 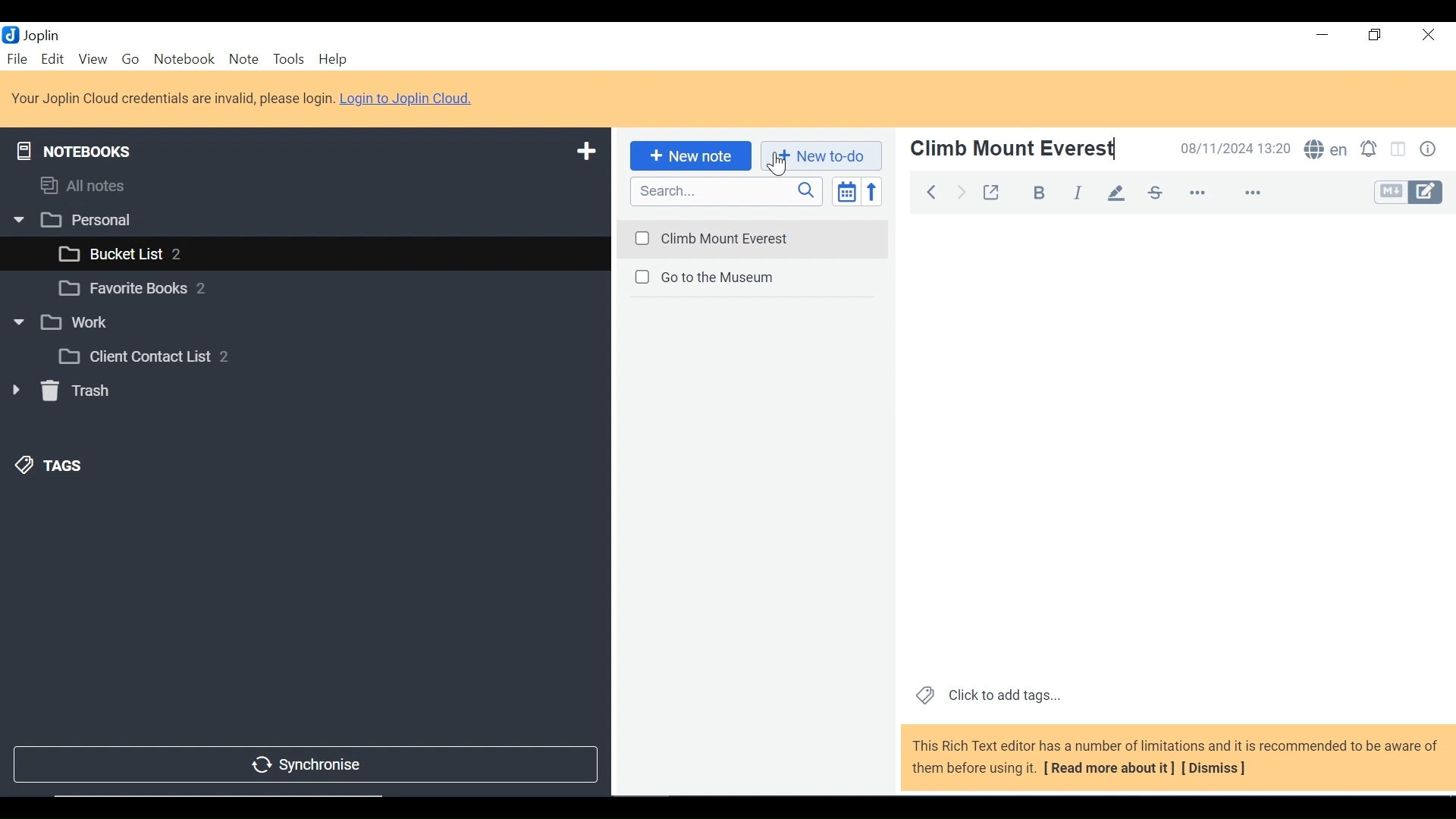 What do you see at coordinates (689, 156) in the screenshot?
I see `Add New Note` at bounding box center [689, 156].